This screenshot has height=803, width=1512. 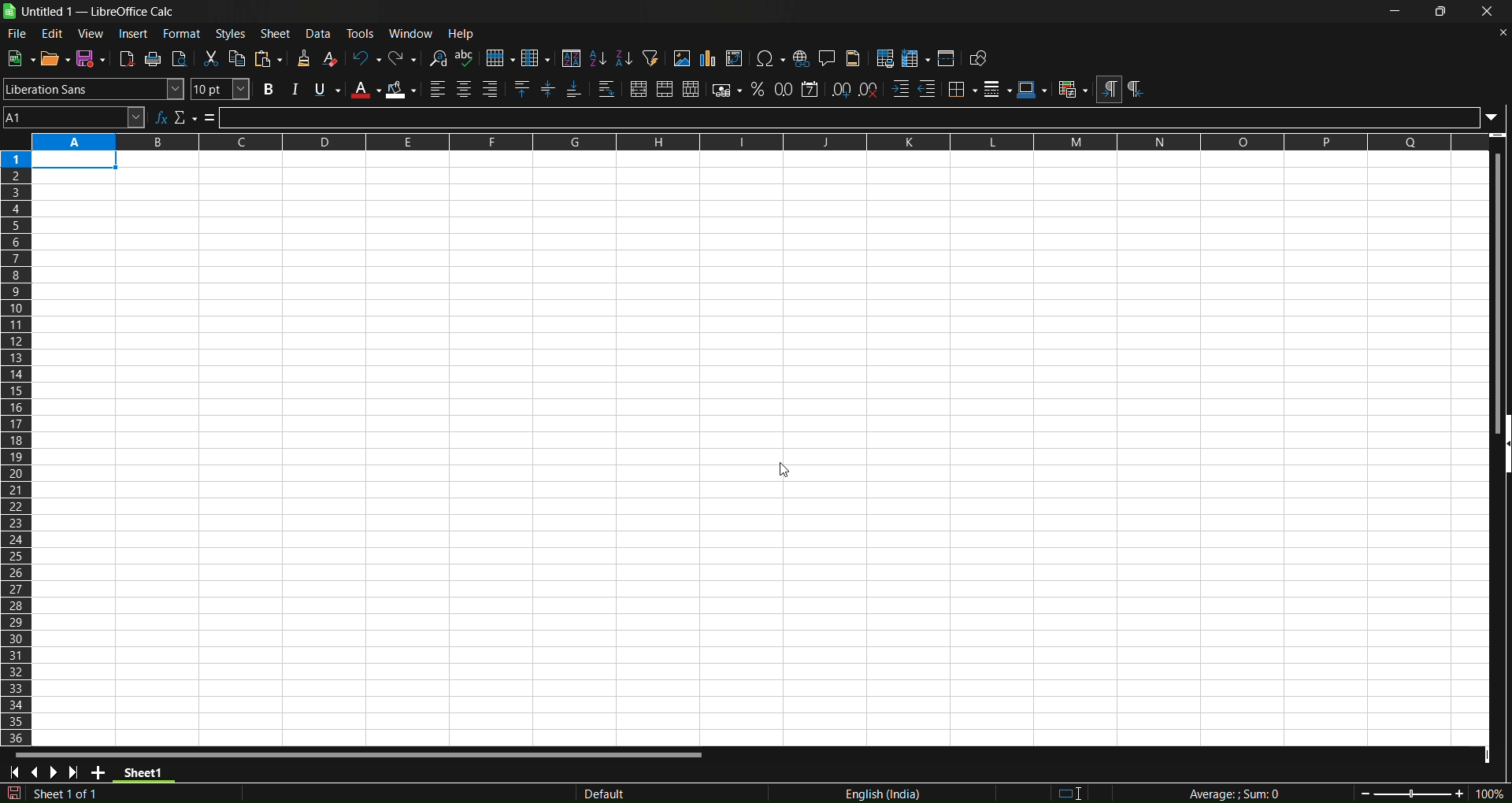 What do you see at coordinates (182, 33) in the screenshot?
I see `format` at bounding box center [182, 33].